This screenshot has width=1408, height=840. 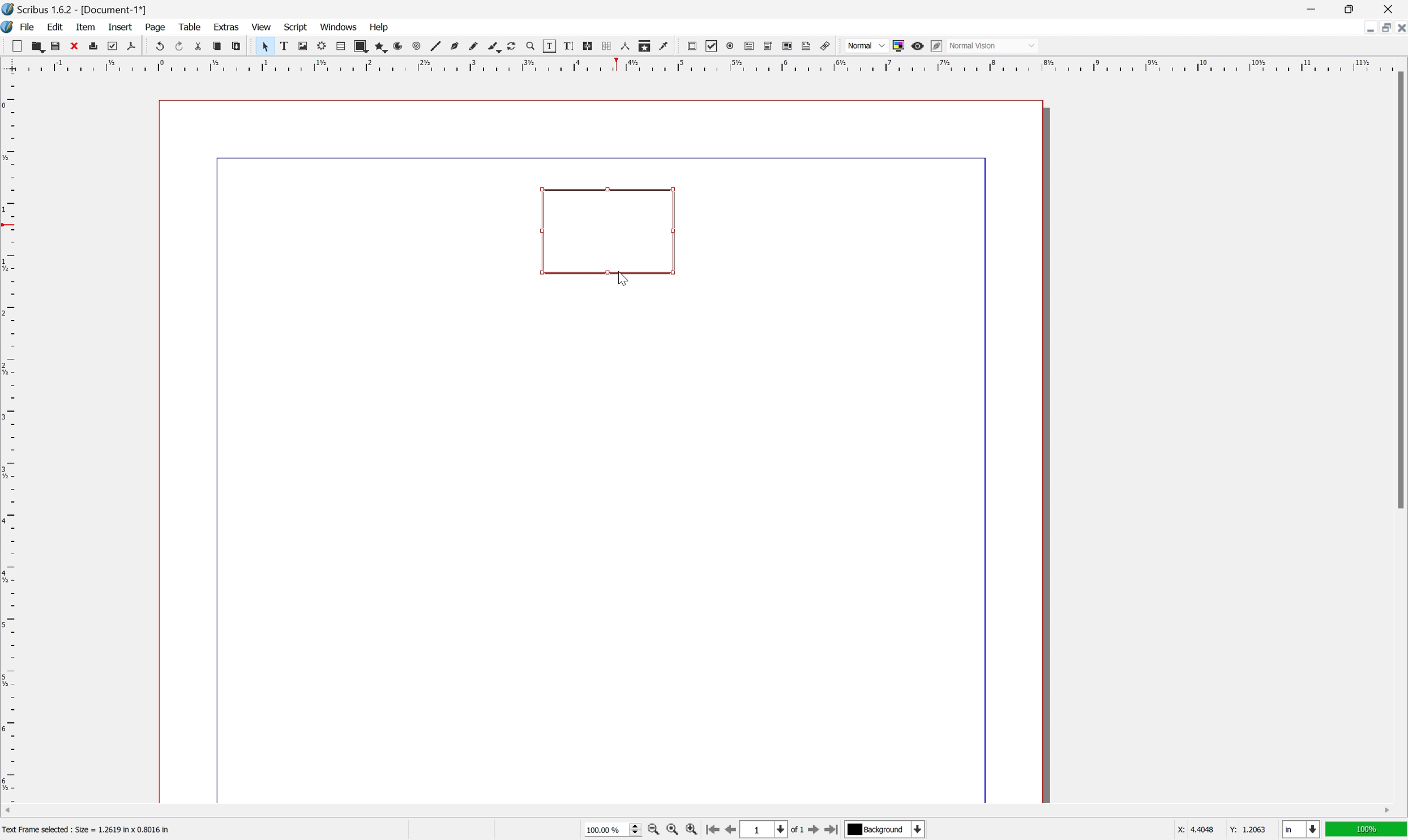 I want to click on 100%, so click(x=1367, y=831).